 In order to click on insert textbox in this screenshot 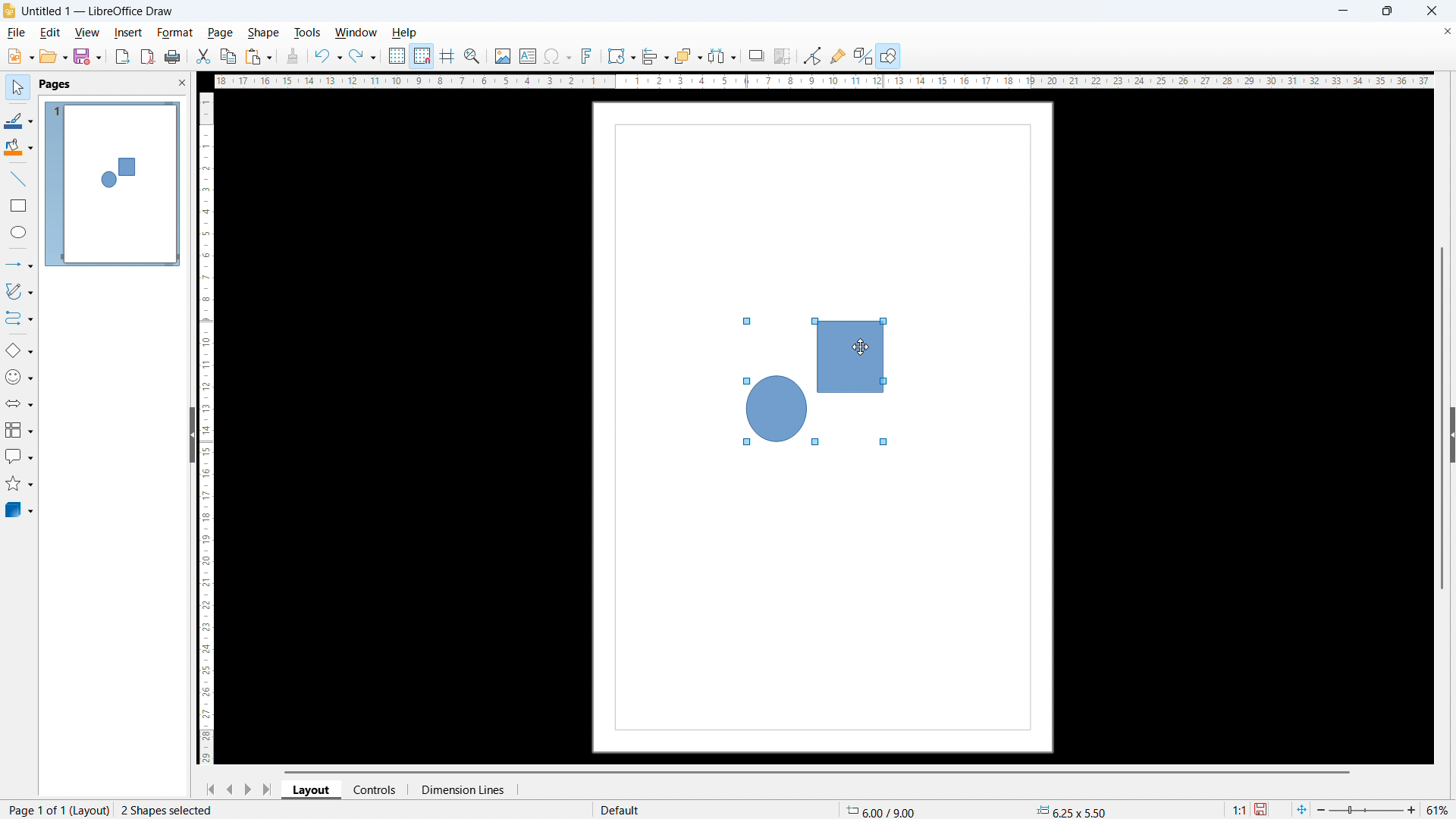, I will do `click(528, 55)`.